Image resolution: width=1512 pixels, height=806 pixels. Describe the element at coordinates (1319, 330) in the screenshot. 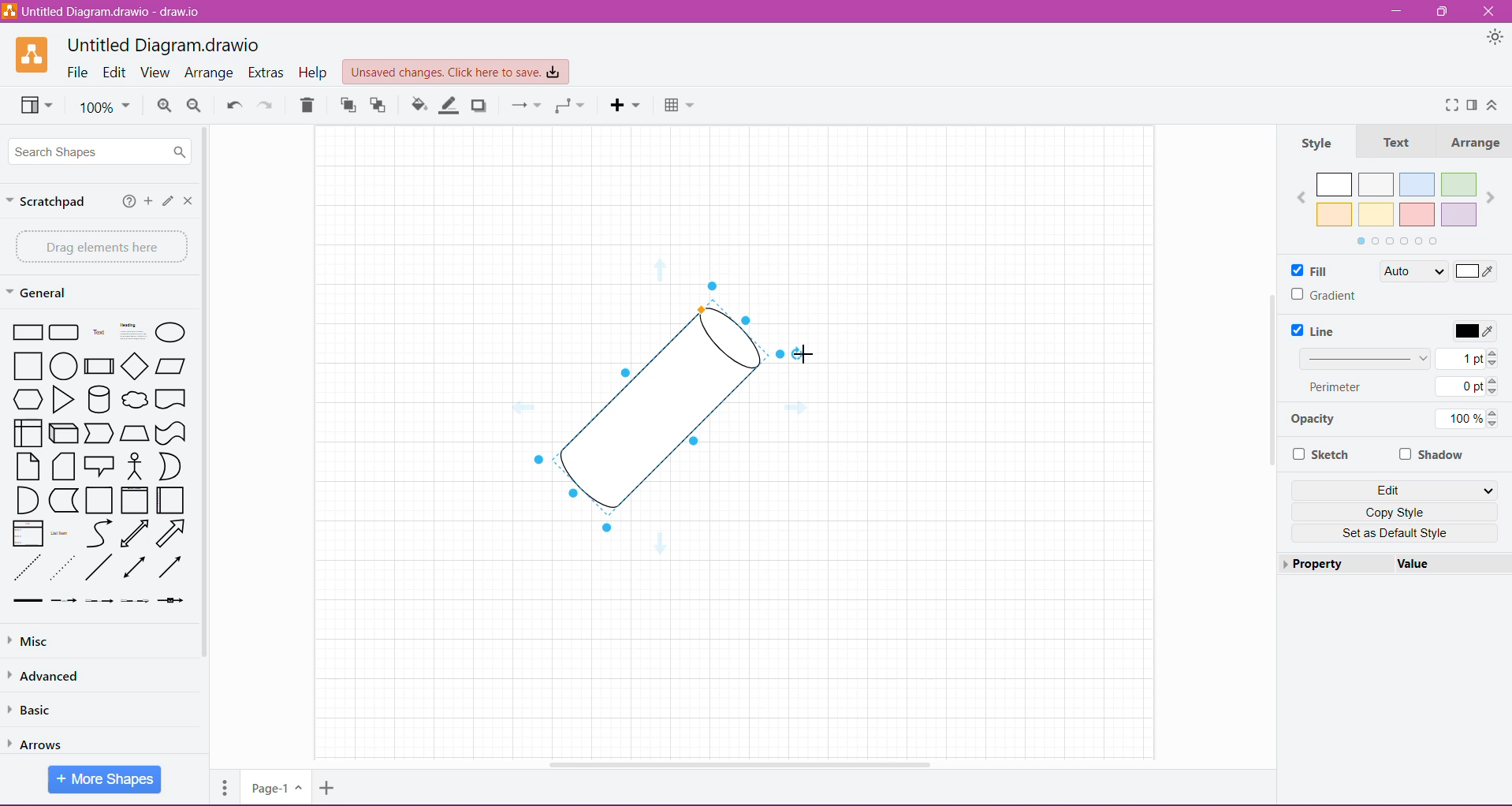

I see `Line - click to enable/disable` at that location.